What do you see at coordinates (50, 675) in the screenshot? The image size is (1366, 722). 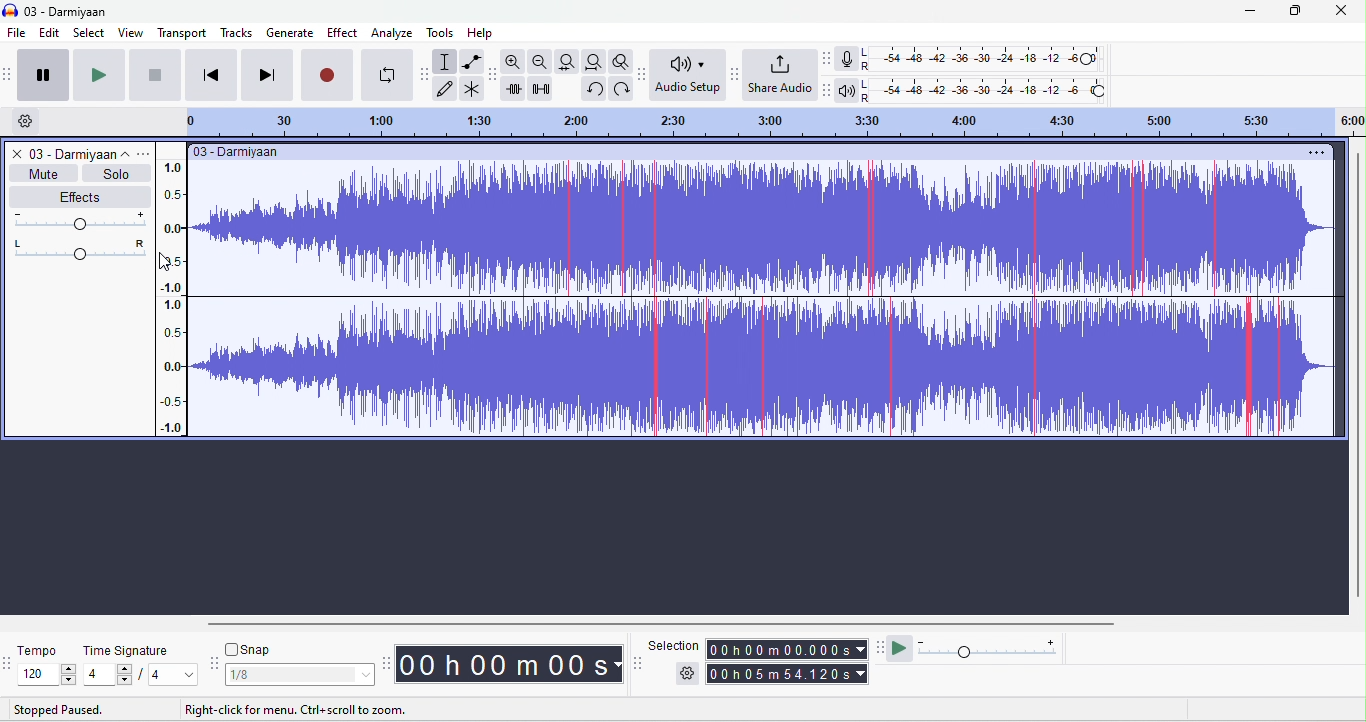 I see `select tempo` at bounding box center [50, 675].